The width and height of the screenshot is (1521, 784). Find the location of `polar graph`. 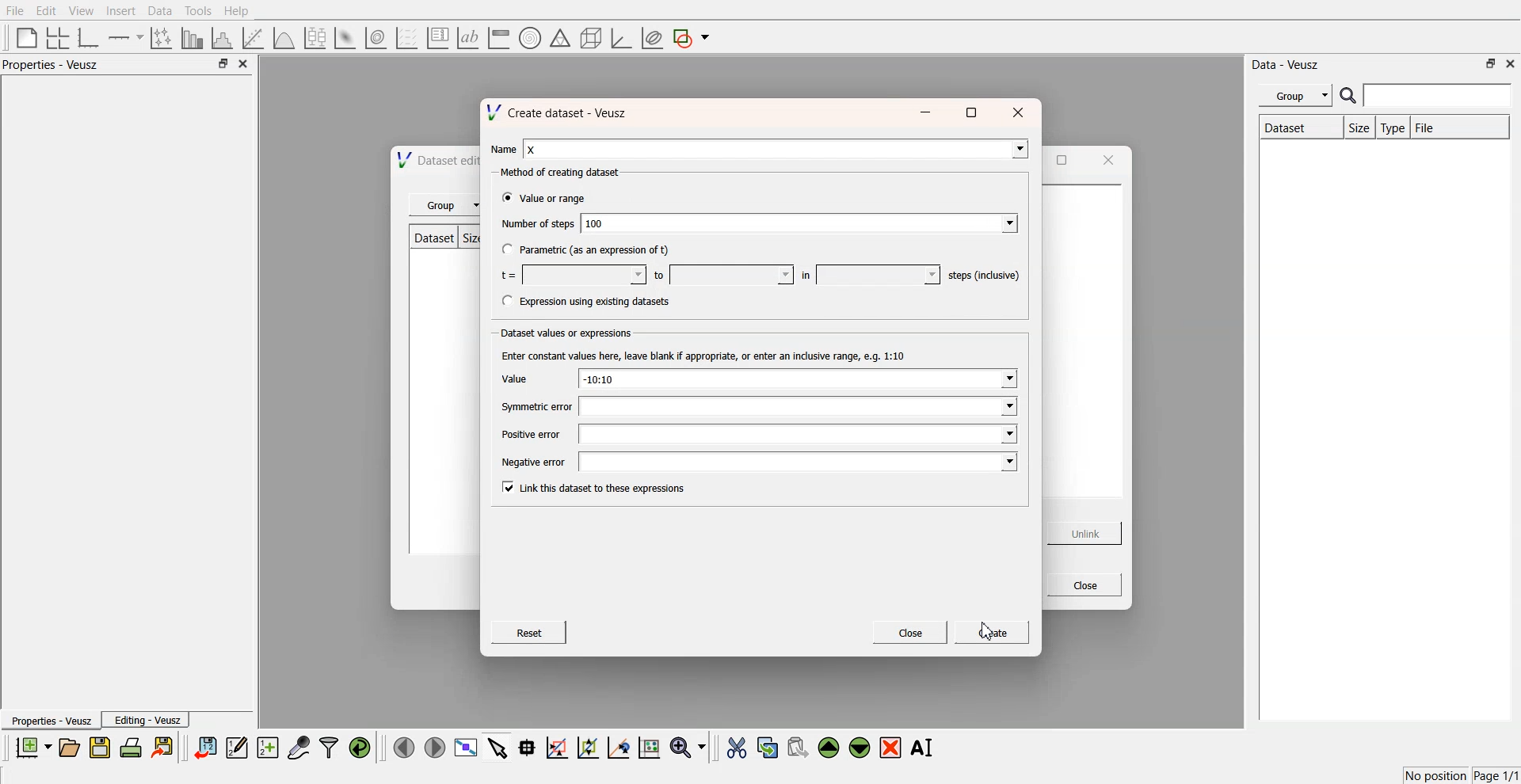

polar graph is located at coordinates (529, 40).